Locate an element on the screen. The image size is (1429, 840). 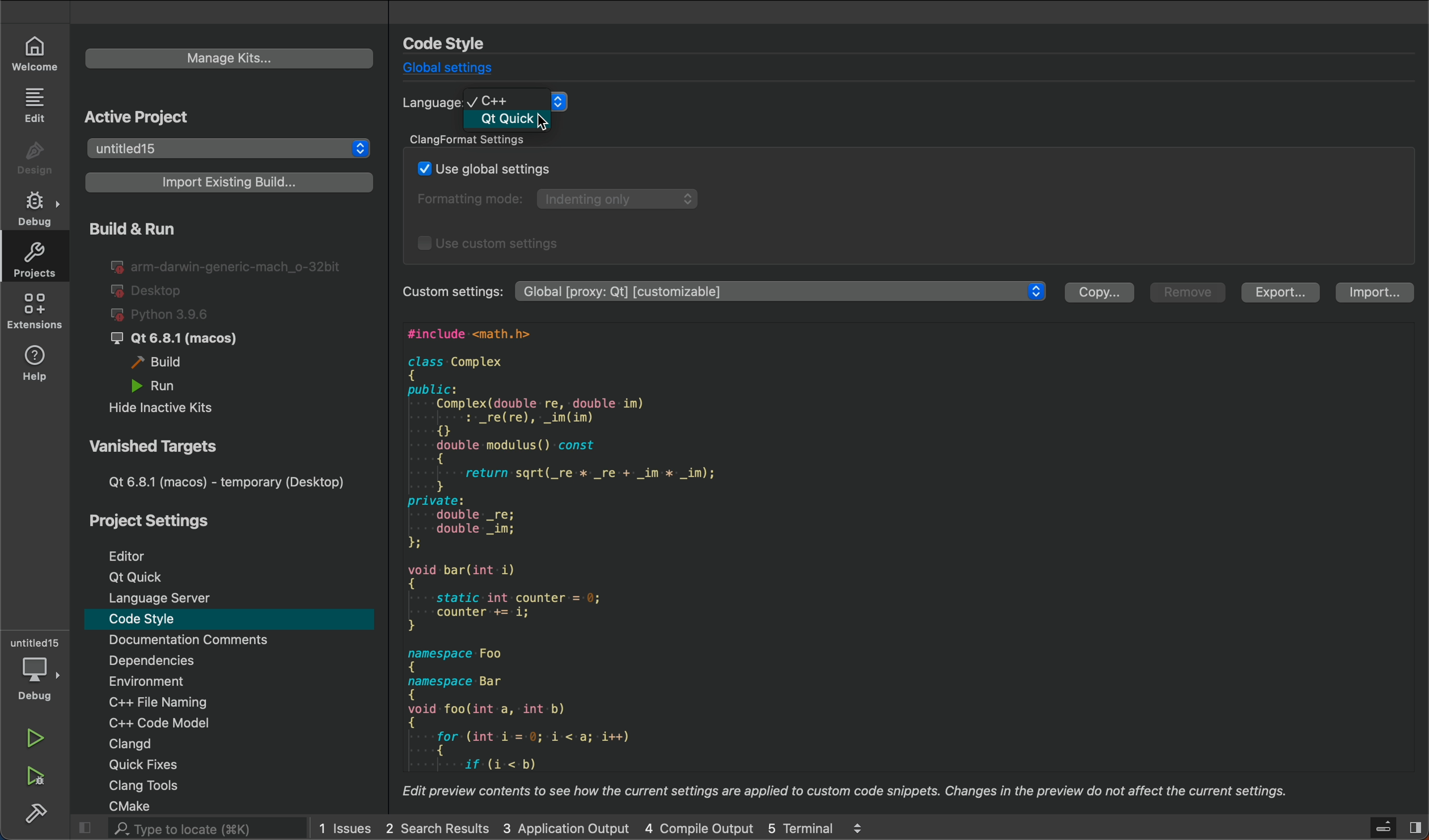
design is located at coordinates (33, 155).